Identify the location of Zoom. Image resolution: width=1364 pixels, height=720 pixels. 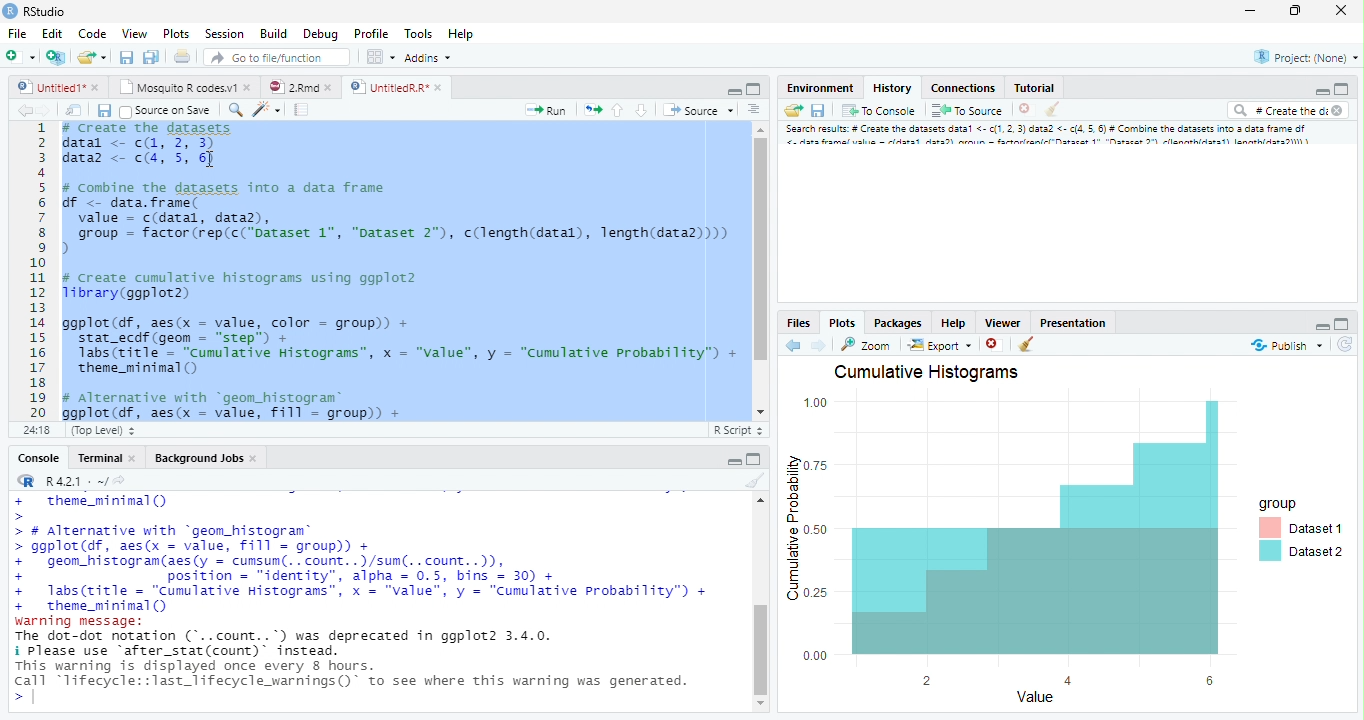
(864, 346).